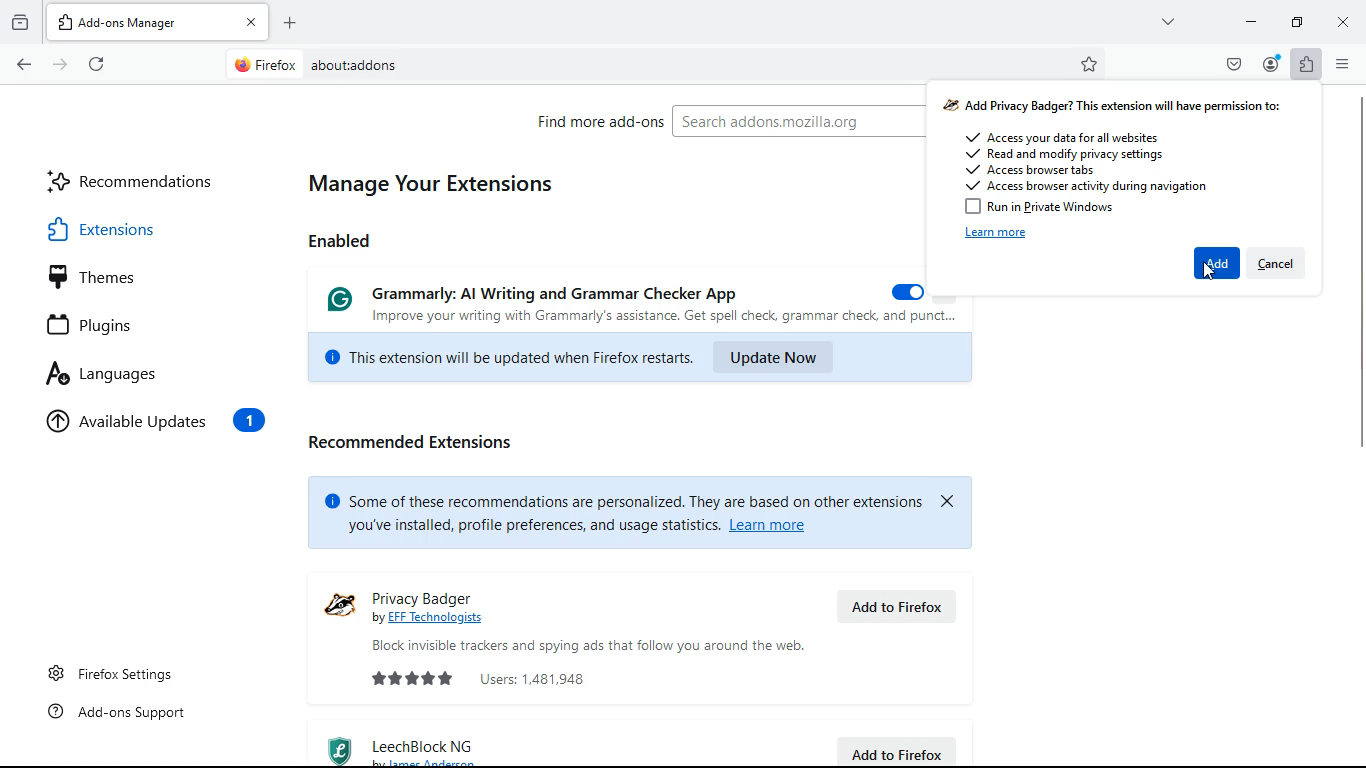 The width and height of the screenshot is (1366, 768). What do you see at coordinates (1228, 65) in the screenshot?
I see `pocket` at bounding box center [1228, 65].